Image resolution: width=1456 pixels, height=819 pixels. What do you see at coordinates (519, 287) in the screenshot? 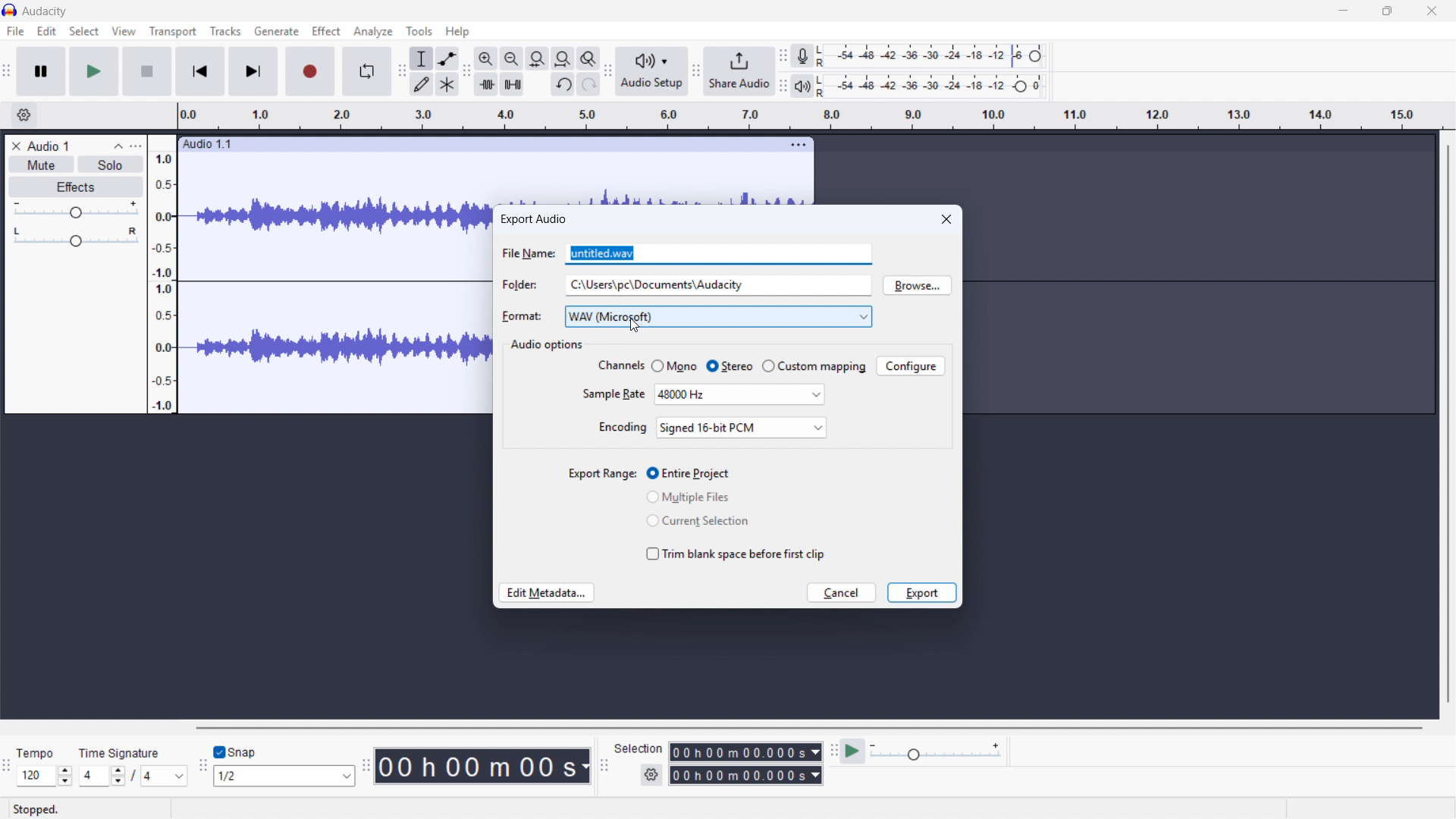
I see `folder` at bounding box center [519, 287].